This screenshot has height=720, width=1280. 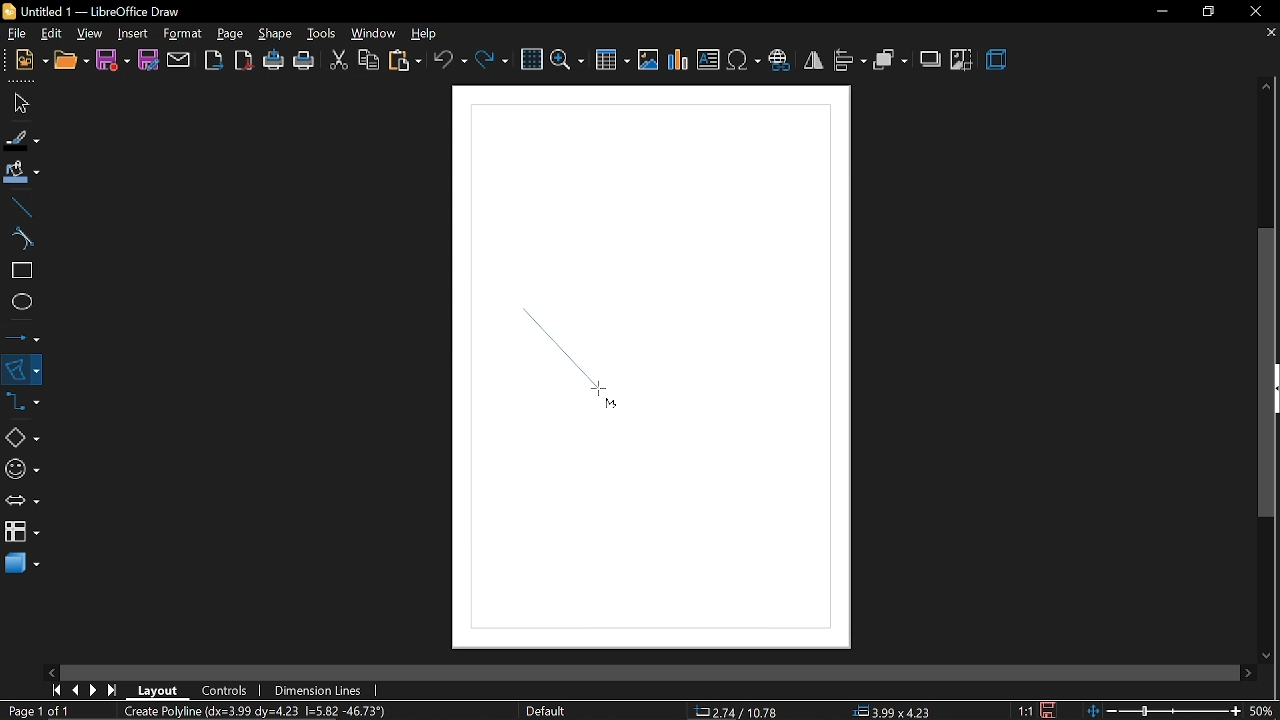 What do you see at coordinates (23, 334) in the screenshot?
I see `lines and arrows` at bounding box center [23, 334].